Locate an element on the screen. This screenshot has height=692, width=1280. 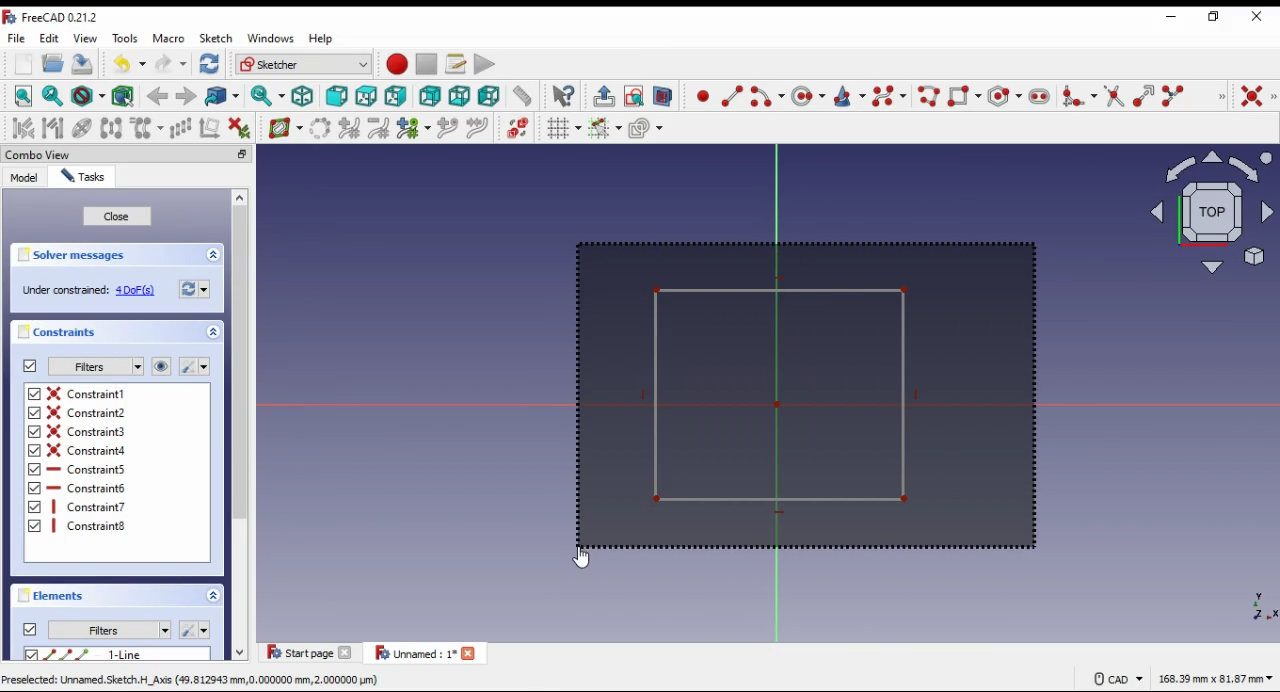
go to linked object is located at coordinates (223, 96).